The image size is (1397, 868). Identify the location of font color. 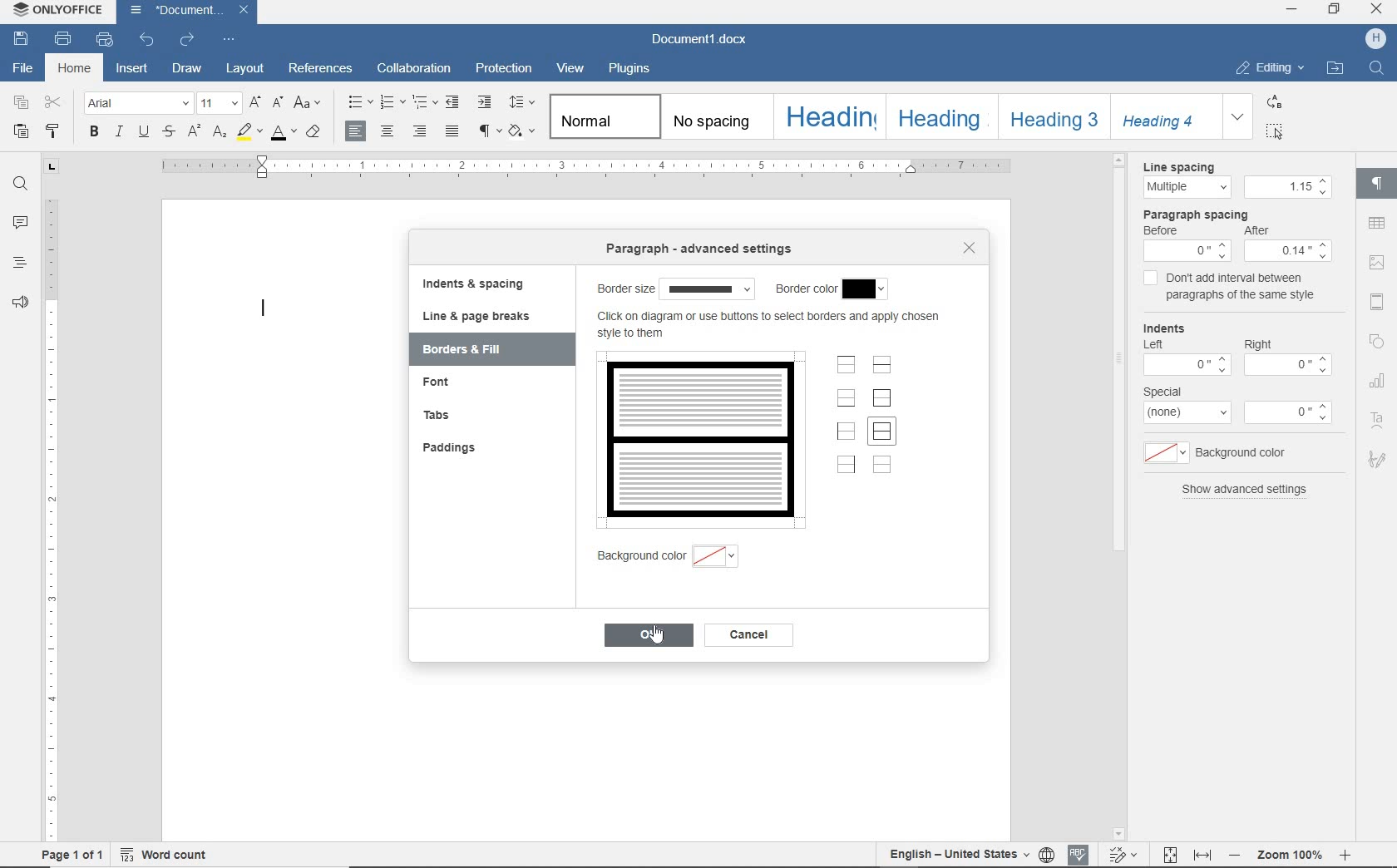
(282, 133).